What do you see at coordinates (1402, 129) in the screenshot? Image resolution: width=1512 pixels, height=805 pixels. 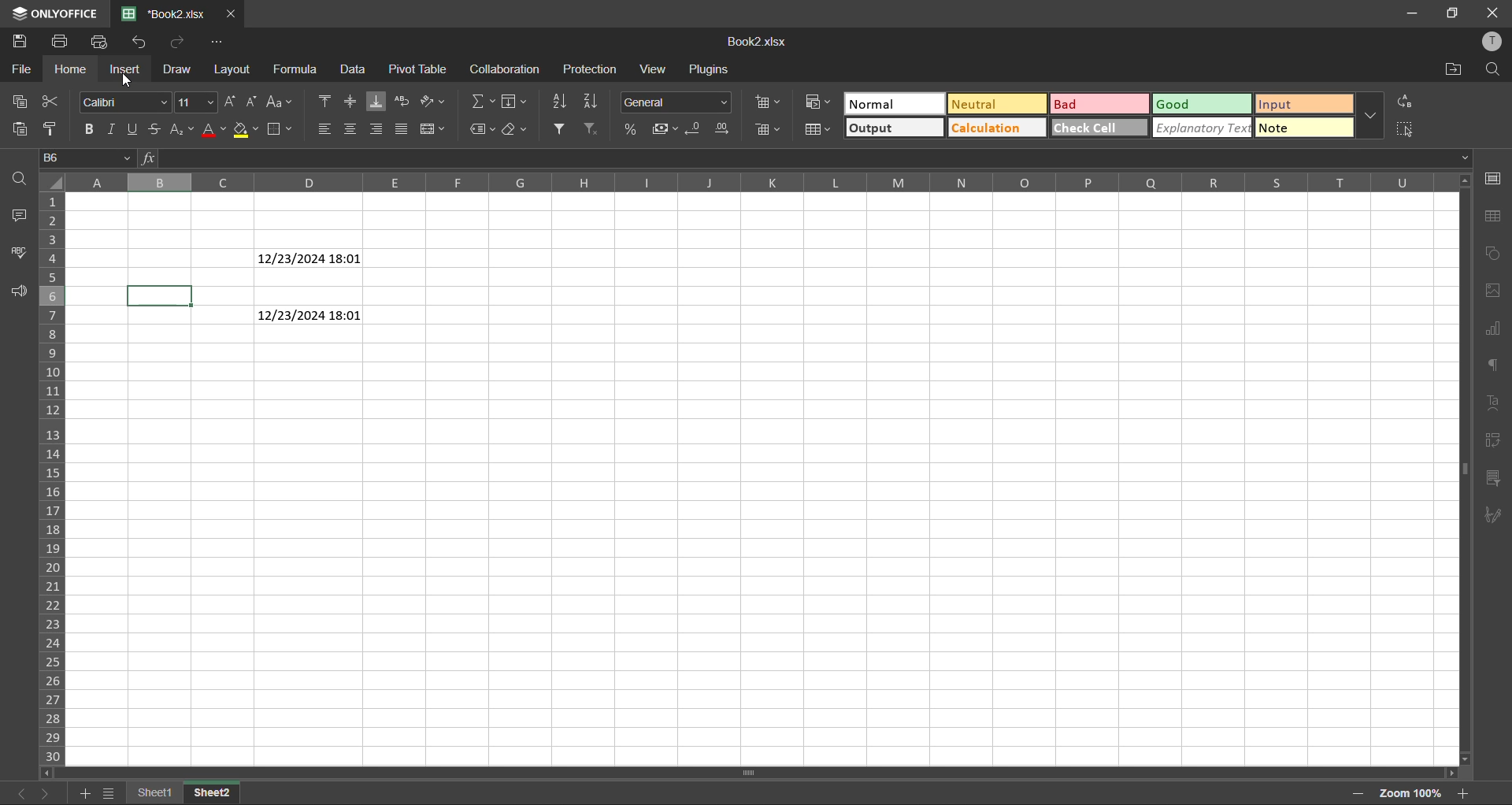 I see `select cells` at bounding box center [1402, 129].